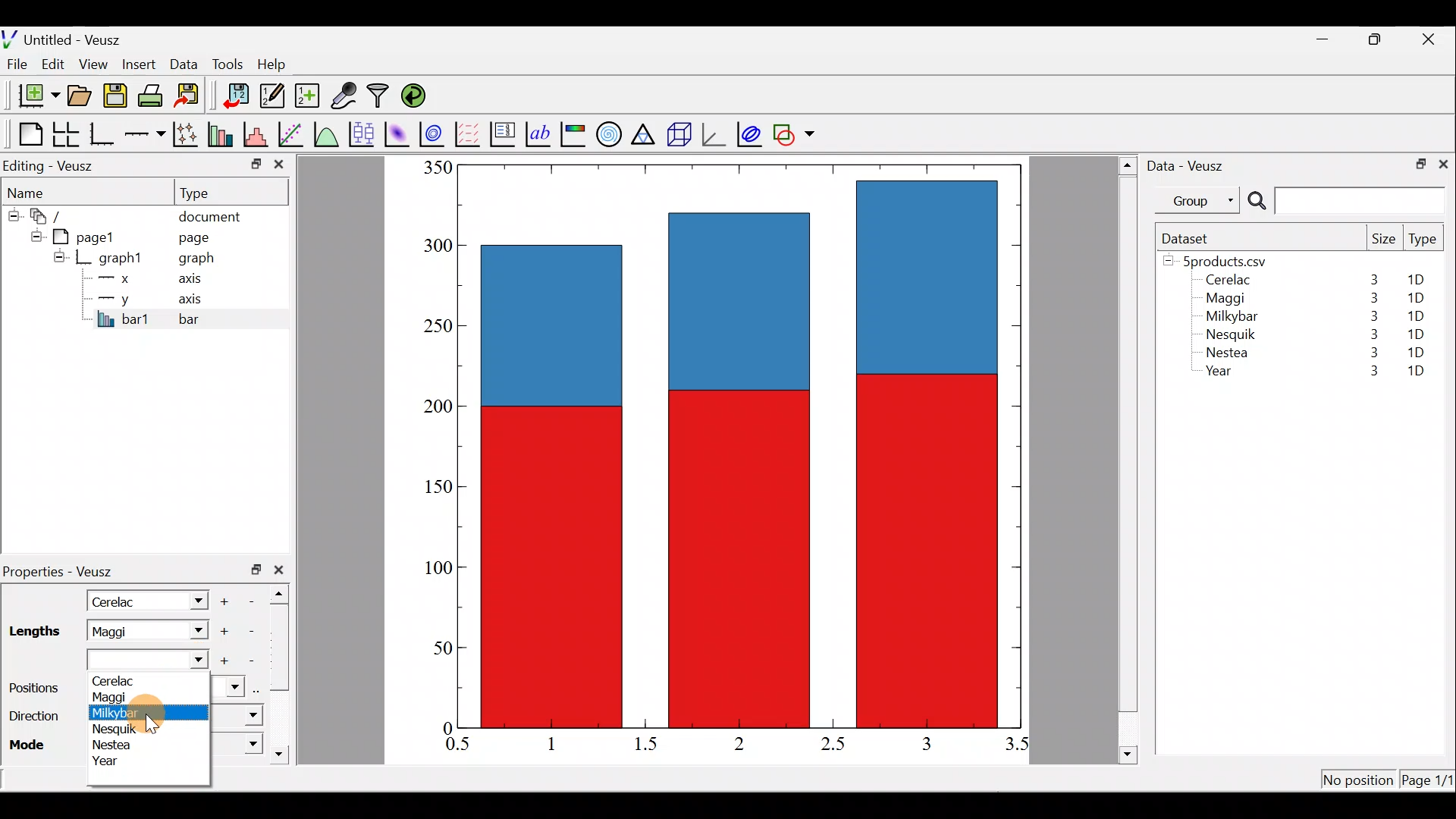  Describe the element at coordinates (188, 135) in the screenshot. I see `Plot points with lines and error bars` at that location.